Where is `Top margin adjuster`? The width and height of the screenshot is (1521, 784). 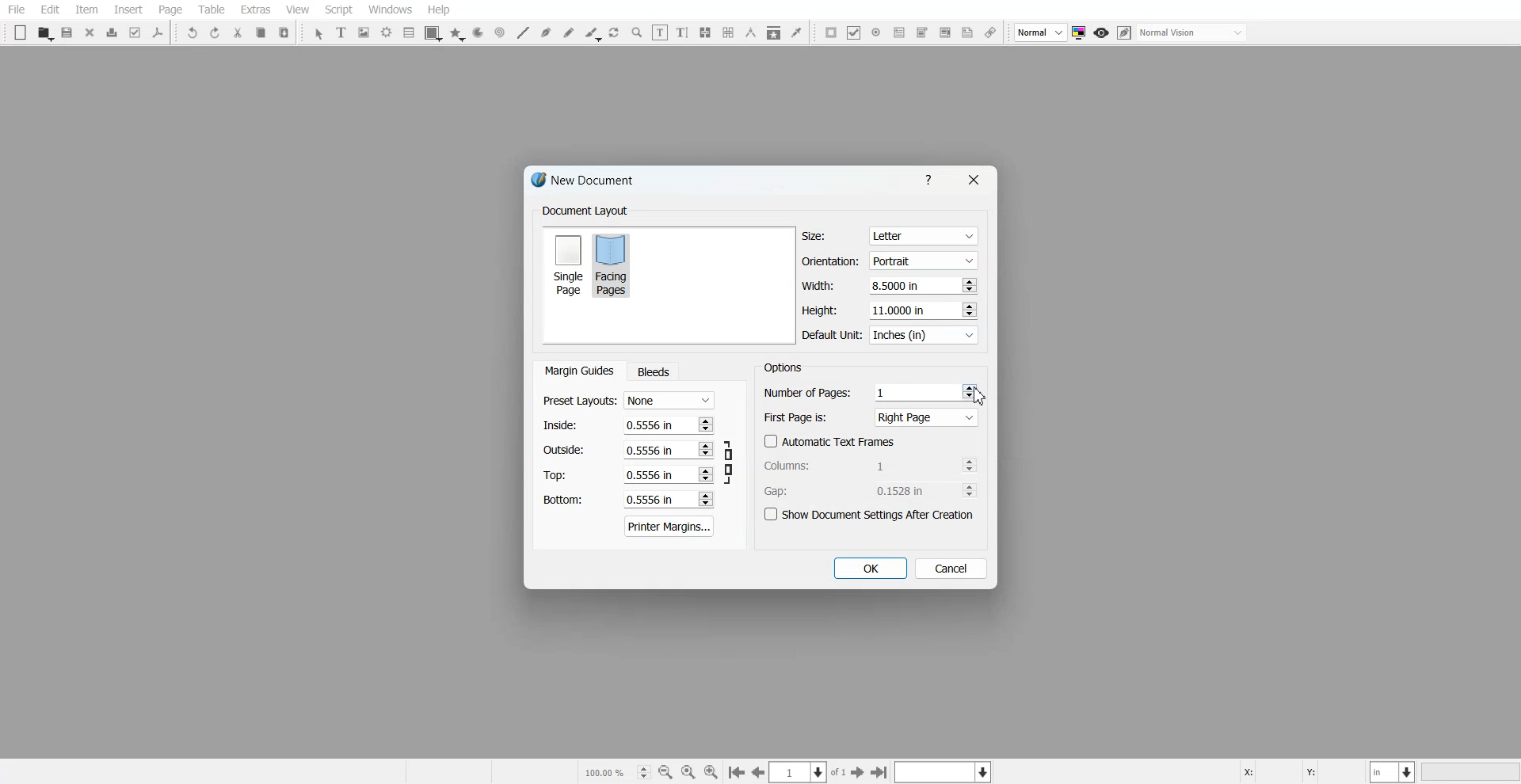 Top margin adjuster is located at coordinates (628, 474).